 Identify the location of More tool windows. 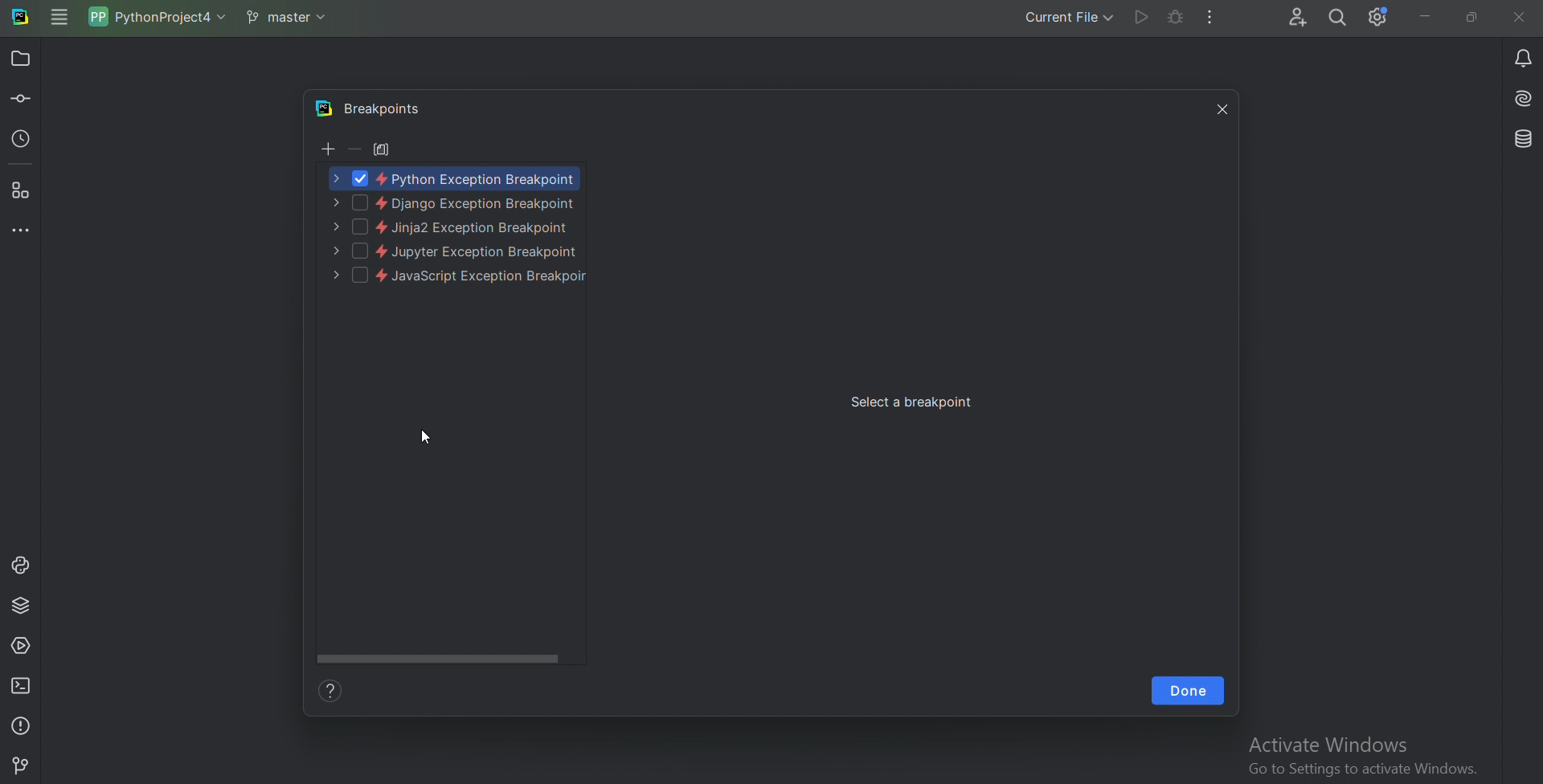
(22, 231).